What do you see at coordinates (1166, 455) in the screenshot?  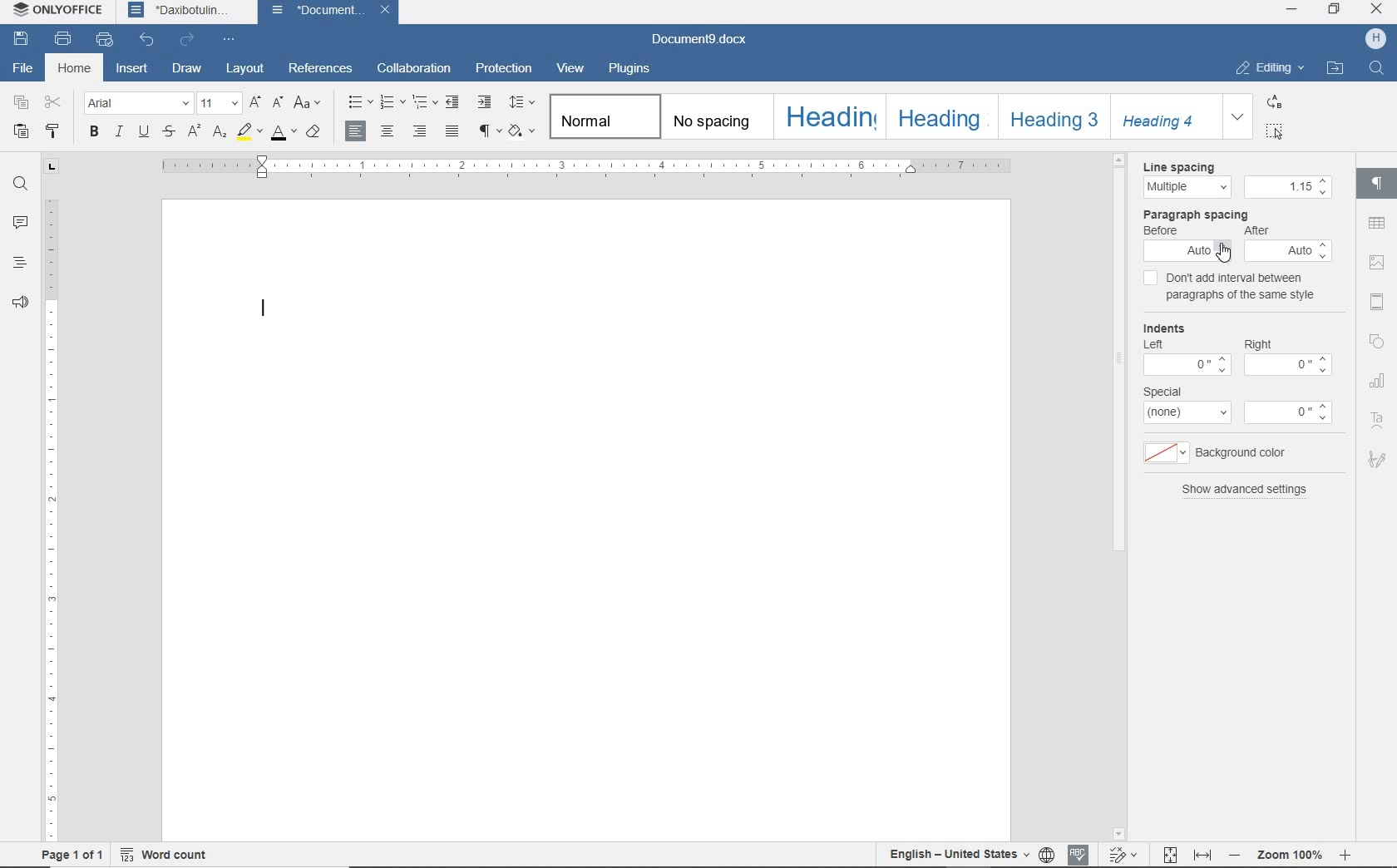 I see `background color` at bounding box center [1166, 455].